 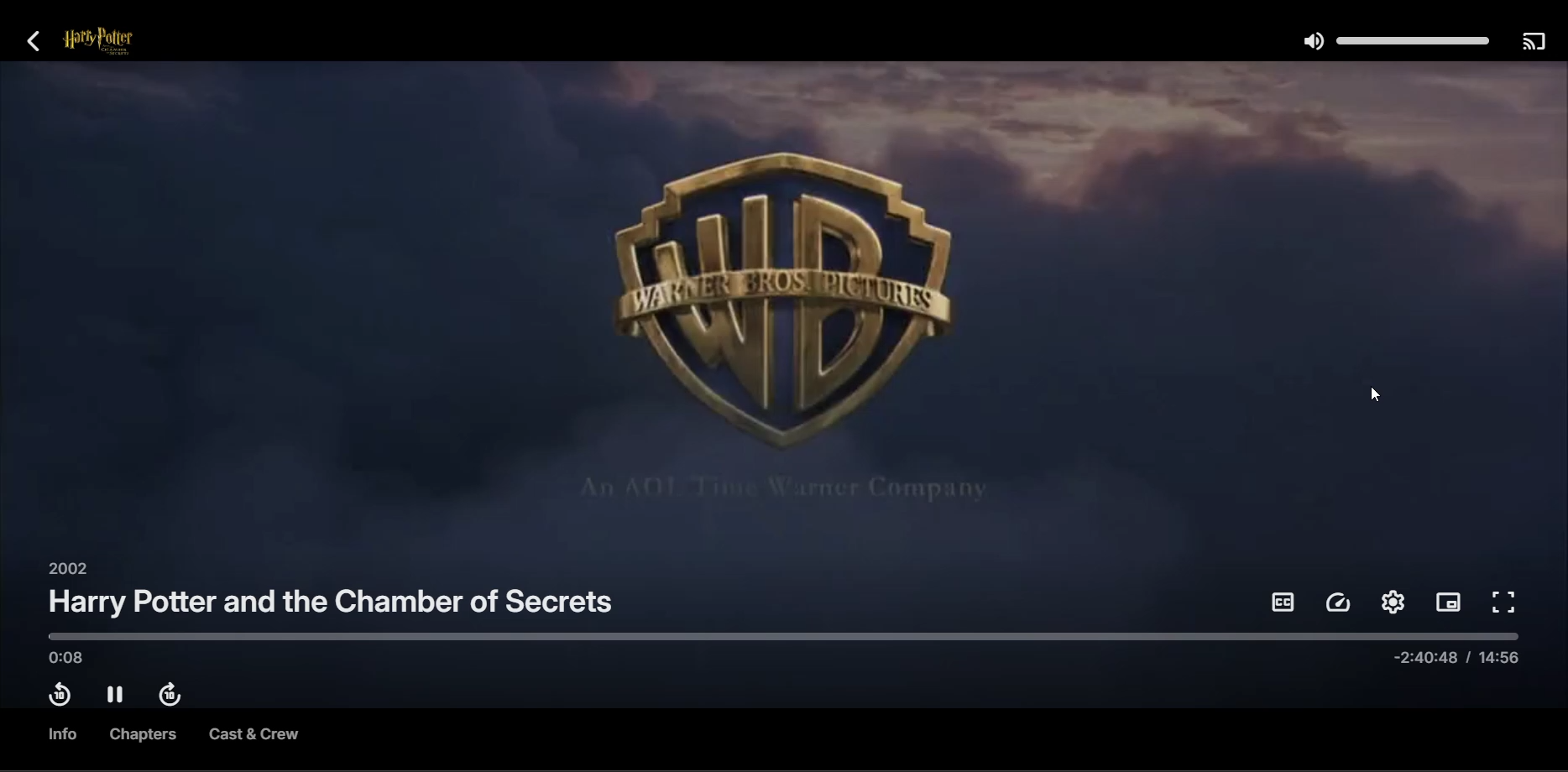 What do you see at coordinates (1459, 662) in the screenshot?
I see `Remaining Time` at bounding box center [1459, 662].